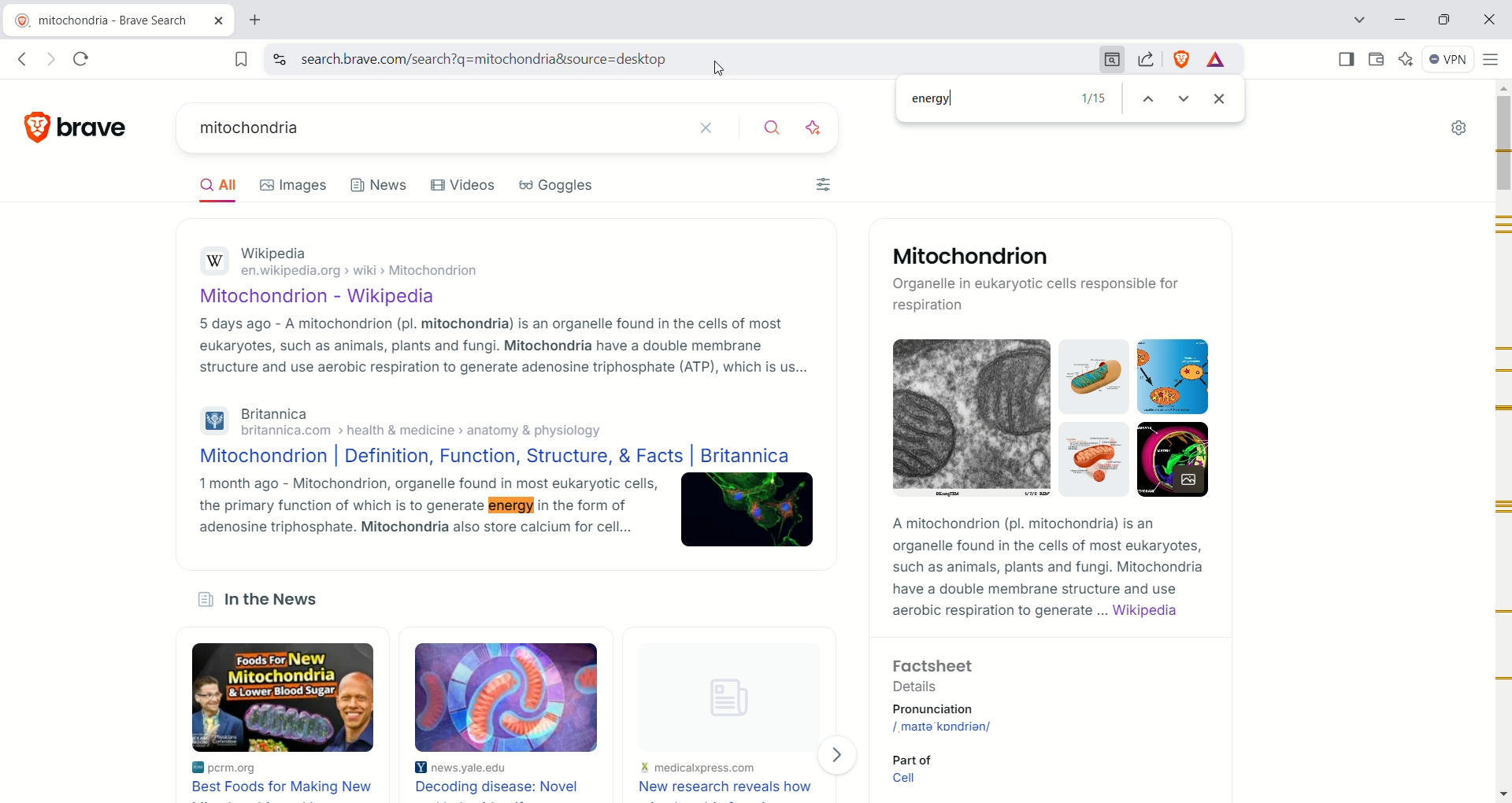 This screenshot has height=803, width=1512. What do you see at coordinates (413, 422) in the screenshot?
I see `Britannica britannica.com > health & medicine > anatomy & physiology` at bounding box center [413, 422].